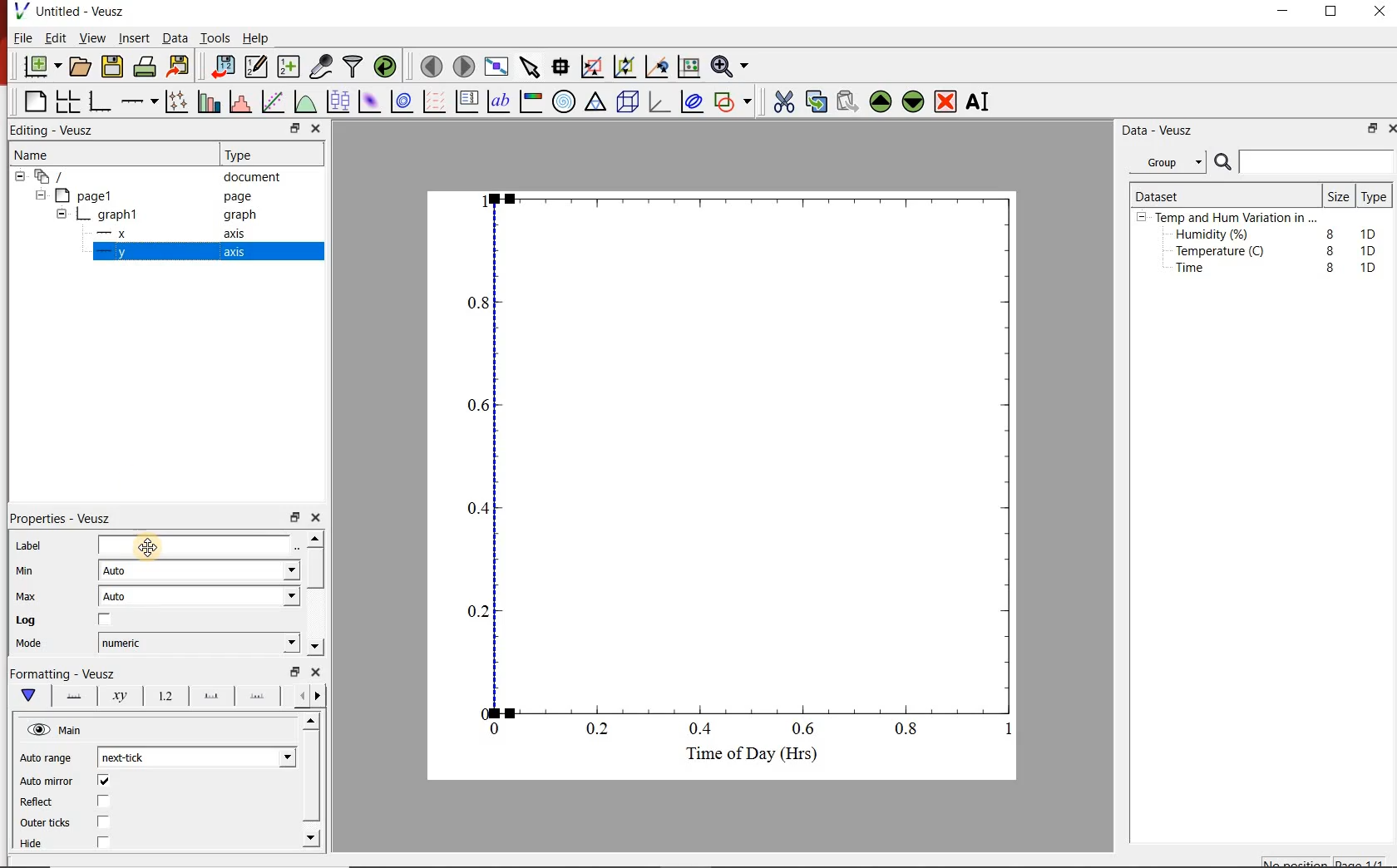 This screenshot has height=868, width=1397. Describe the element at coordinates (881, 100) in the screenshot. I see `Move the selected widget up` at that location.